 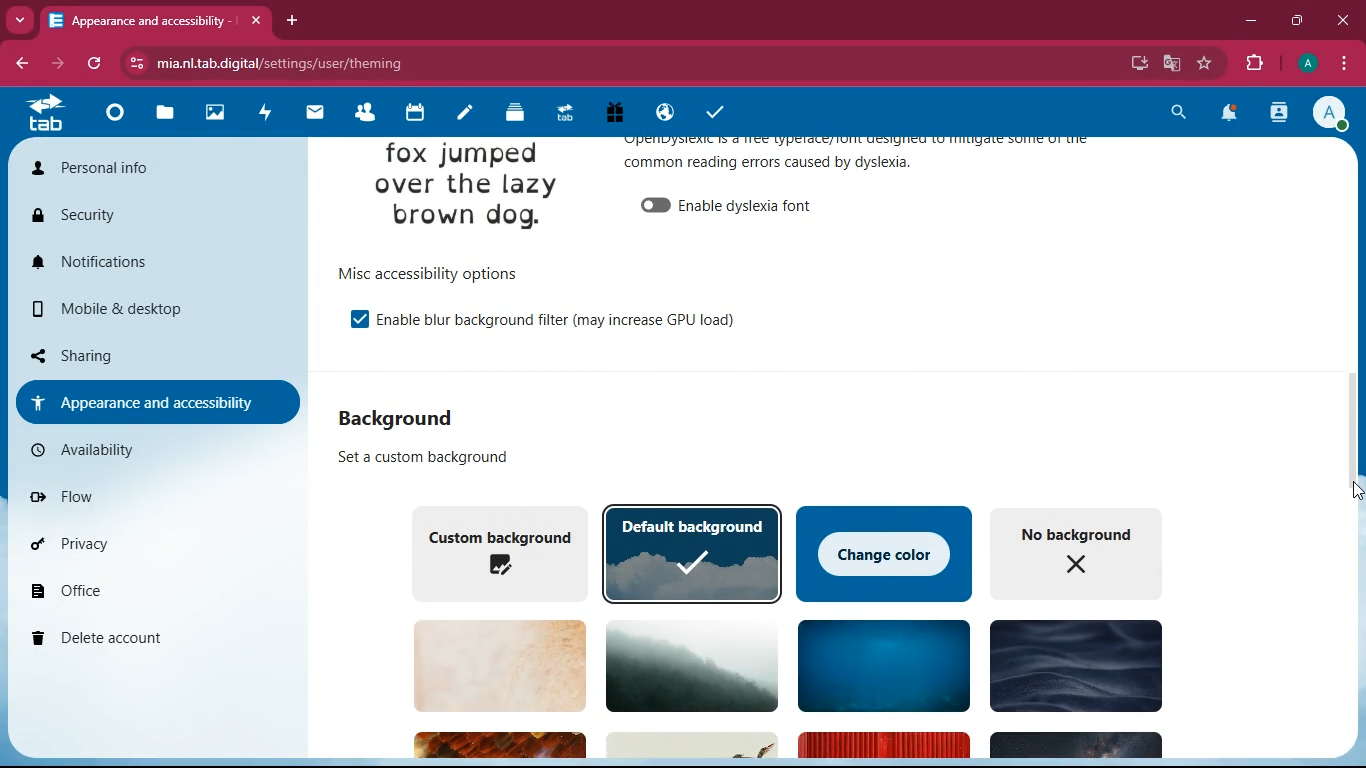 What do you see at coordinates (435, 269) in the screenshot?
I see `options` at bounding box center [435, 269].